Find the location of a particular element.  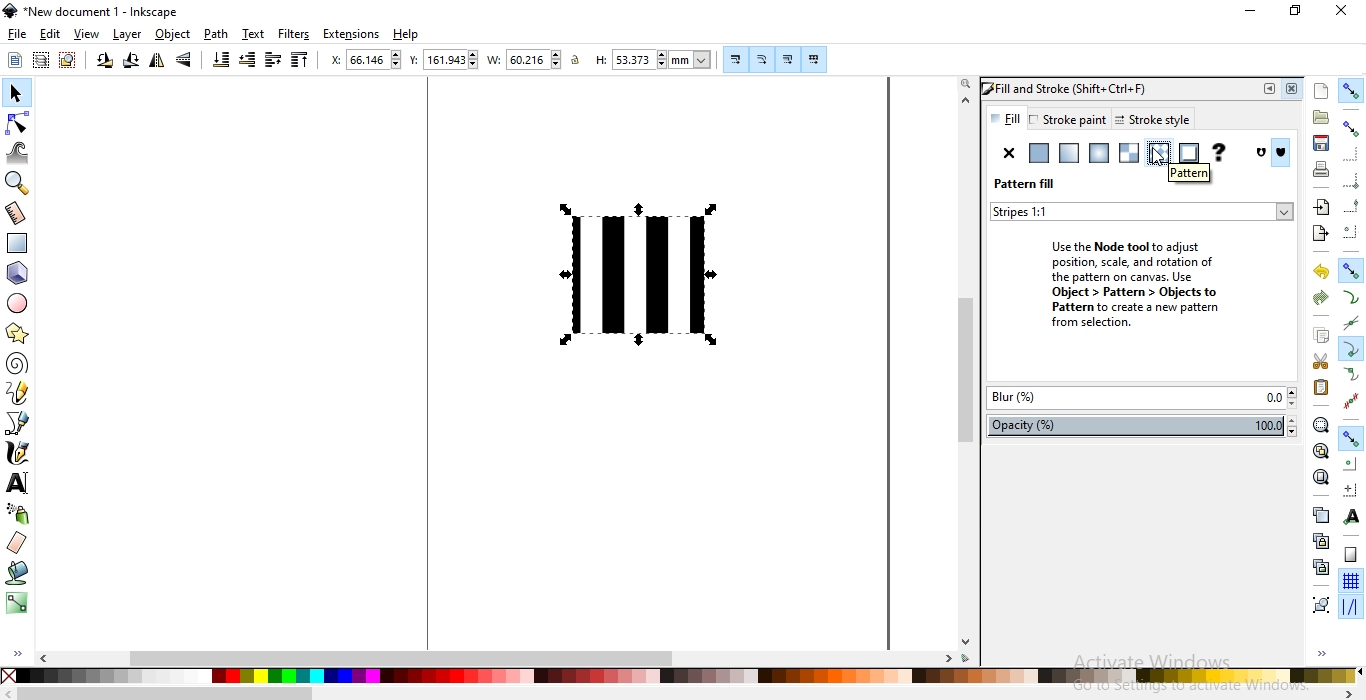

snap nodes, paths and handles is located at coordinates (1350, 439).